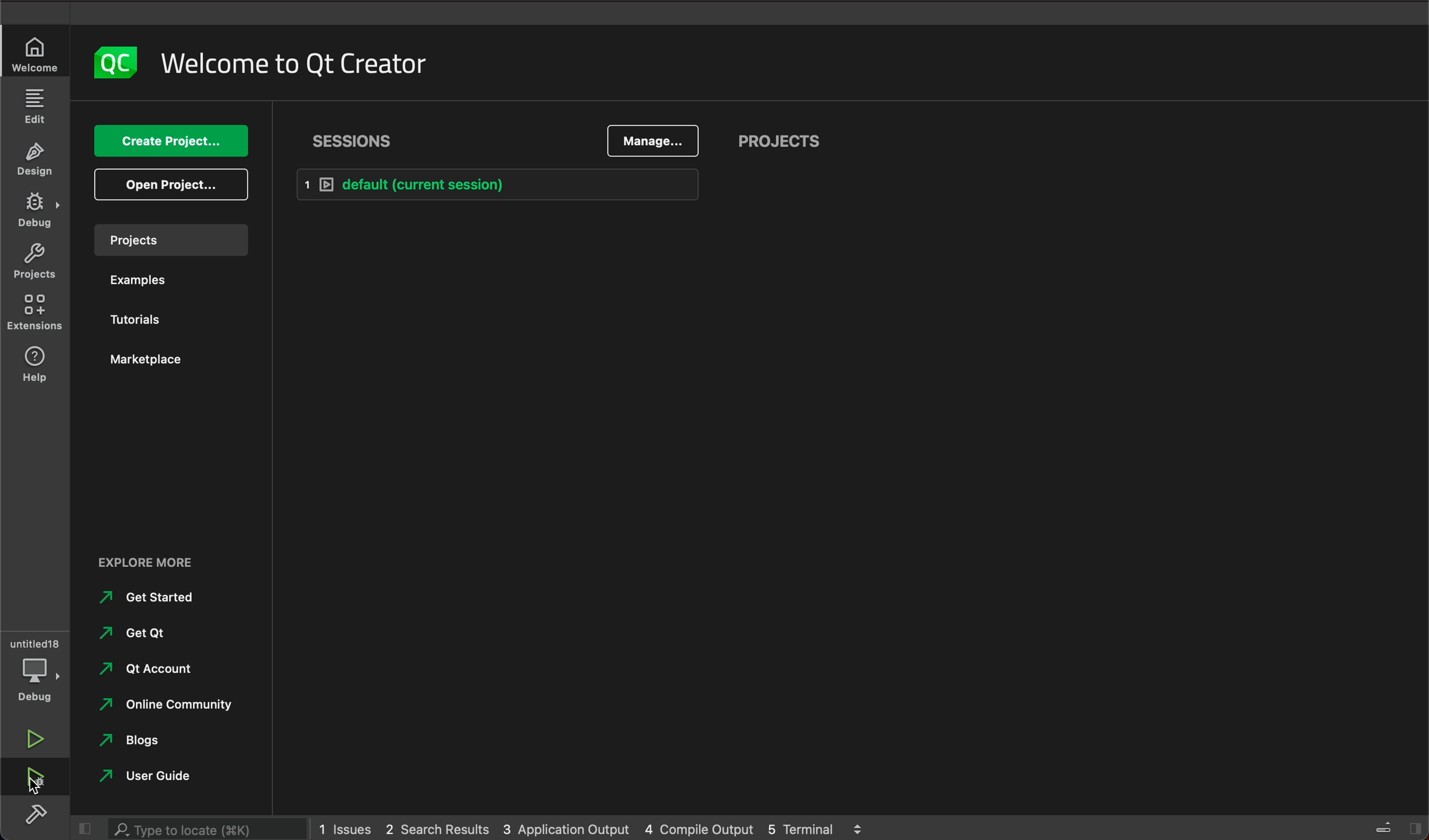 The height and width of the screenshot is (840, 1429). What do you see at coordinates (34, 780) in the screenshot?
I see `run and debug` at bounding box center [34, 780].